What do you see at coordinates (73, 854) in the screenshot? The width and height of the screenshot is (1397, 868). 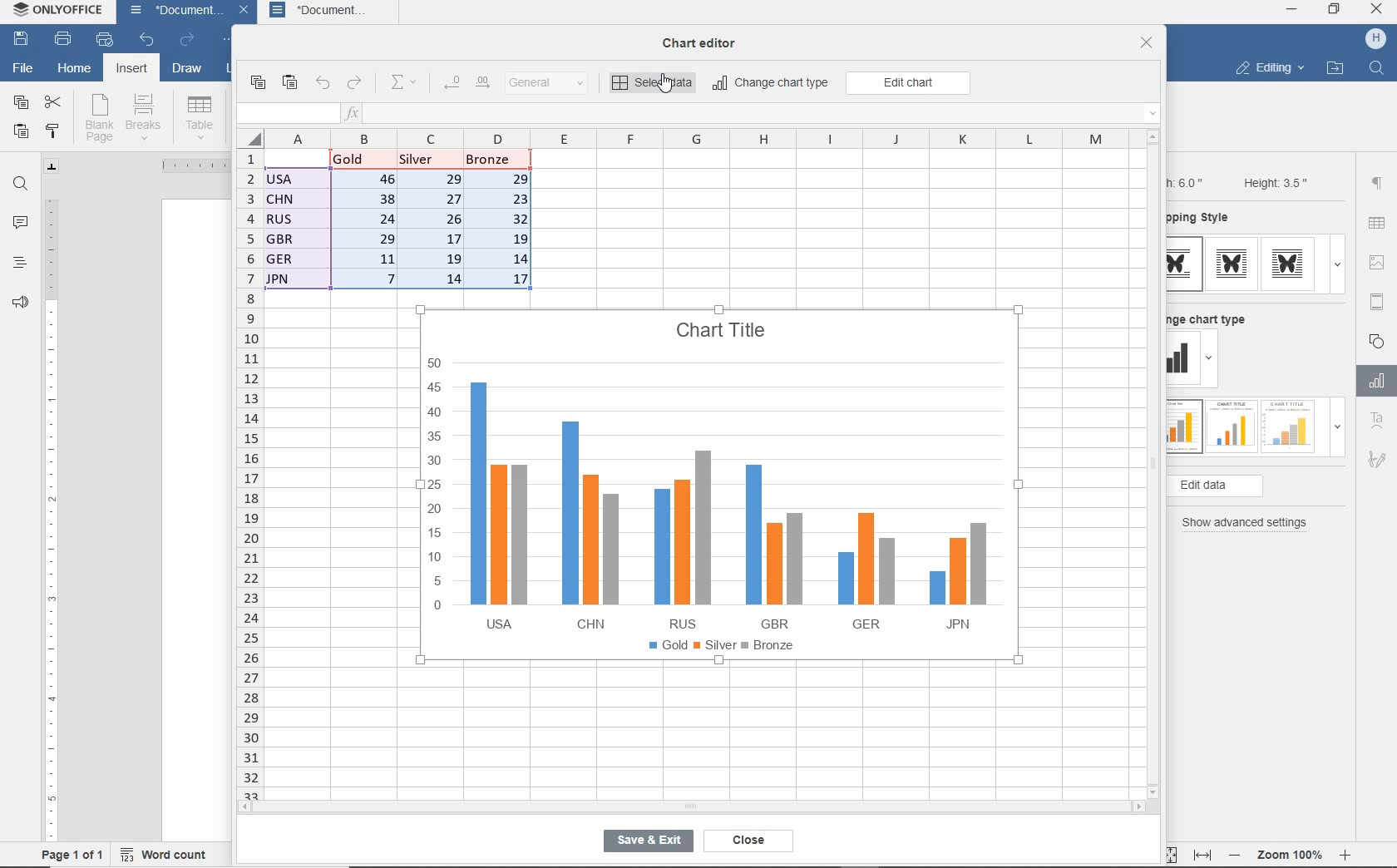 I see `page 1 of 1` at bounding box center [73, 854].